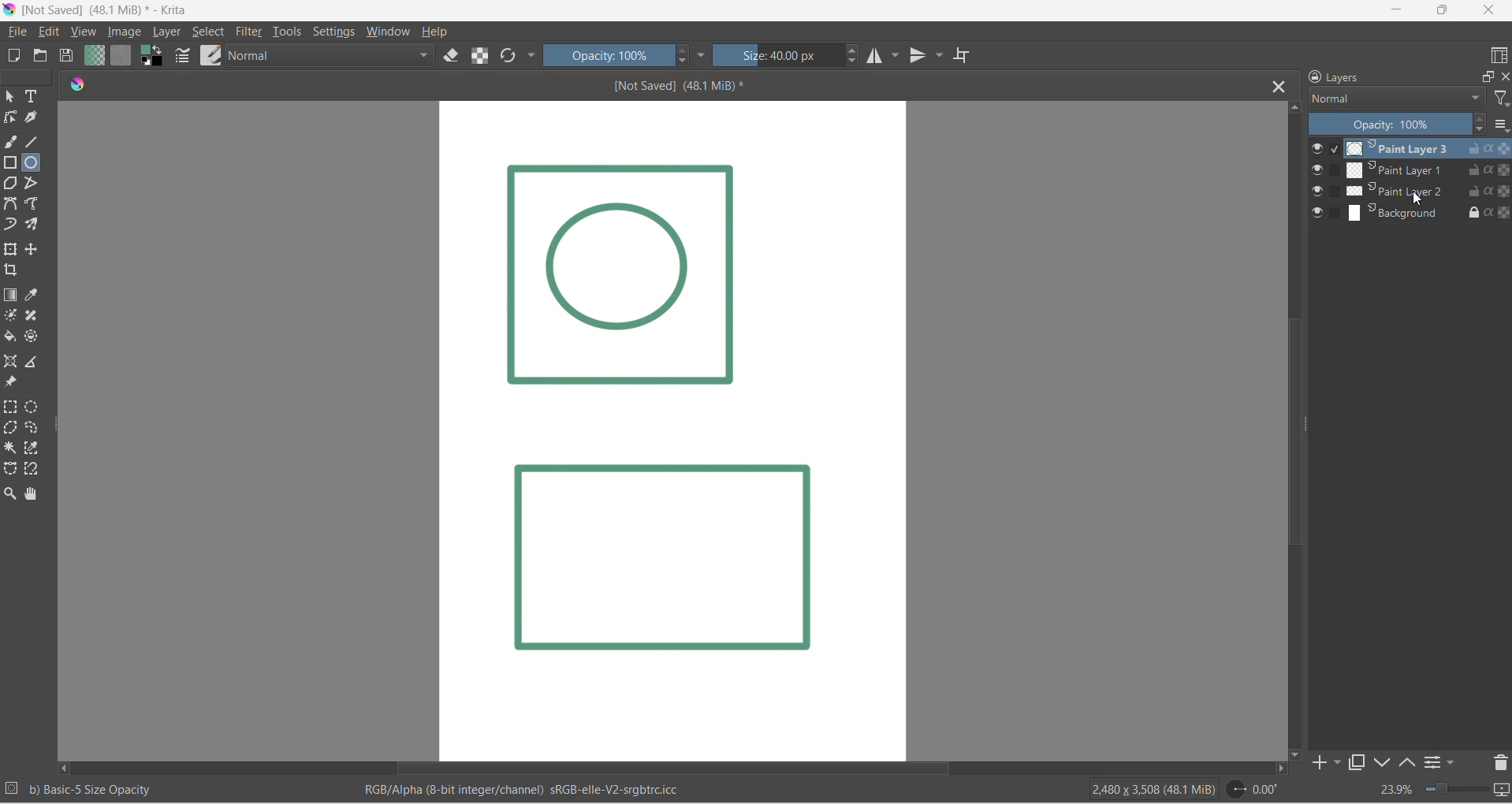 This screenshot has height=804, width=1512. I want to click on calligraphy tool, so click(35, 118).